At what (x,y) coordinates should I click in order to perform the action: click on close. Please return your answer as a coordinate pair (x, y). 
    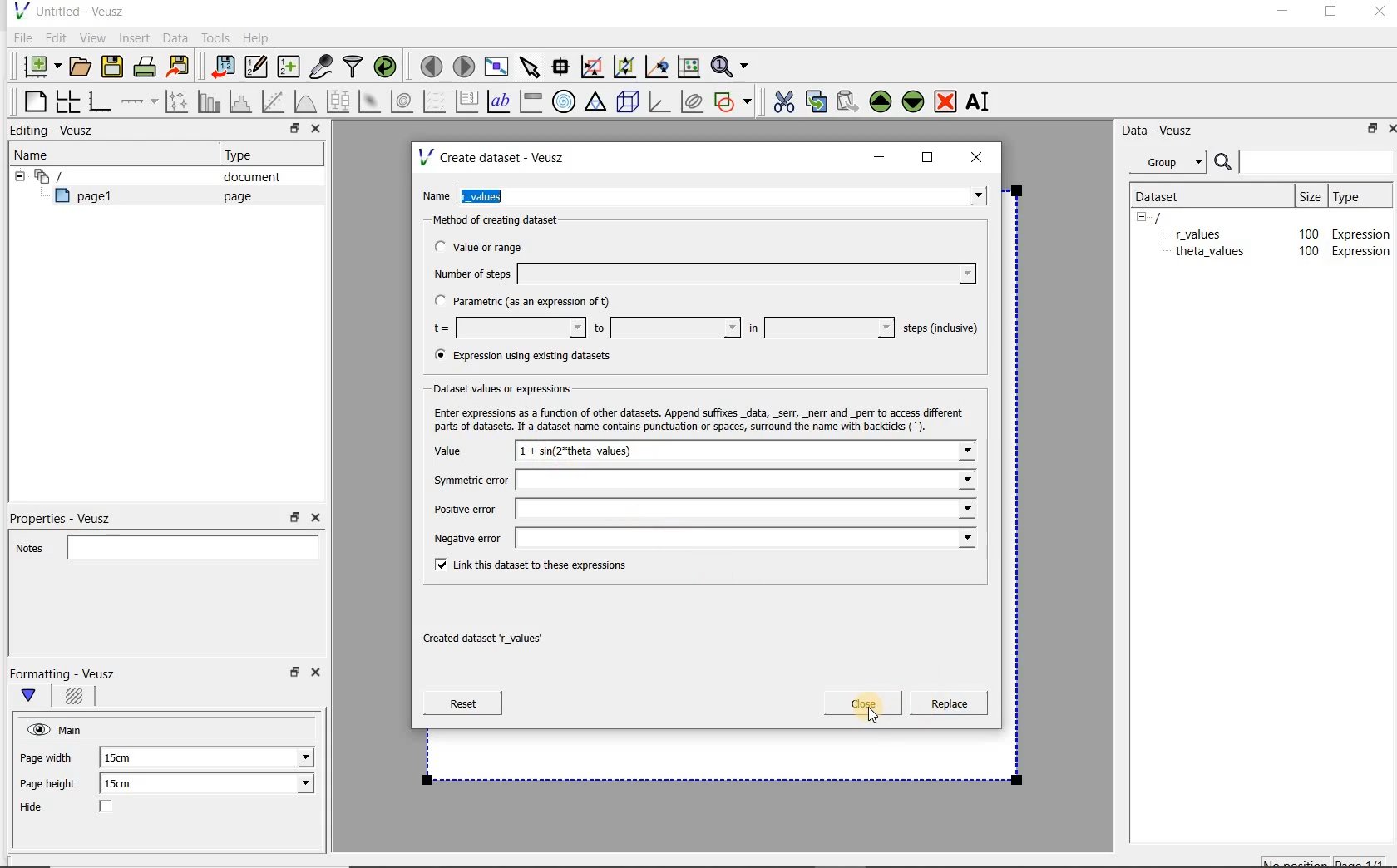
    Looking at the image, I should click on (982, 156).